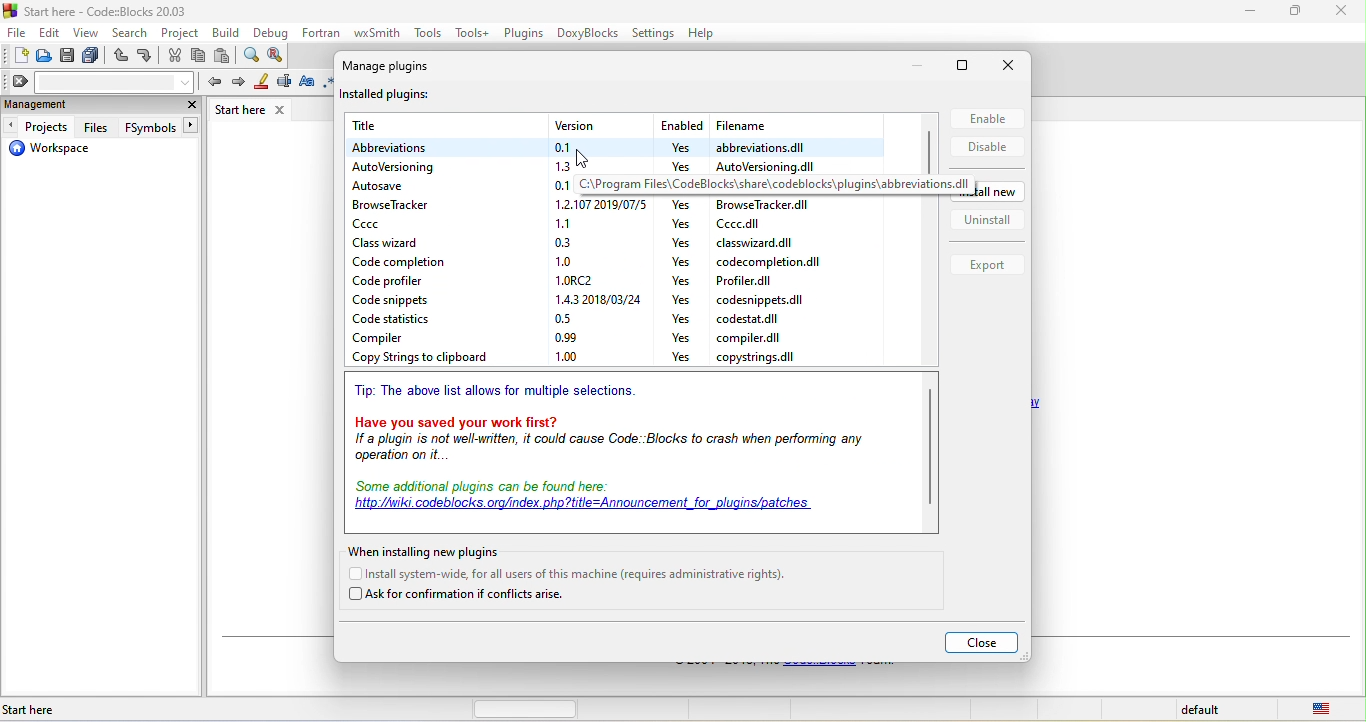 This screenshot has width=1366, height=722. I want to click on minimize, so click(1250, 15).